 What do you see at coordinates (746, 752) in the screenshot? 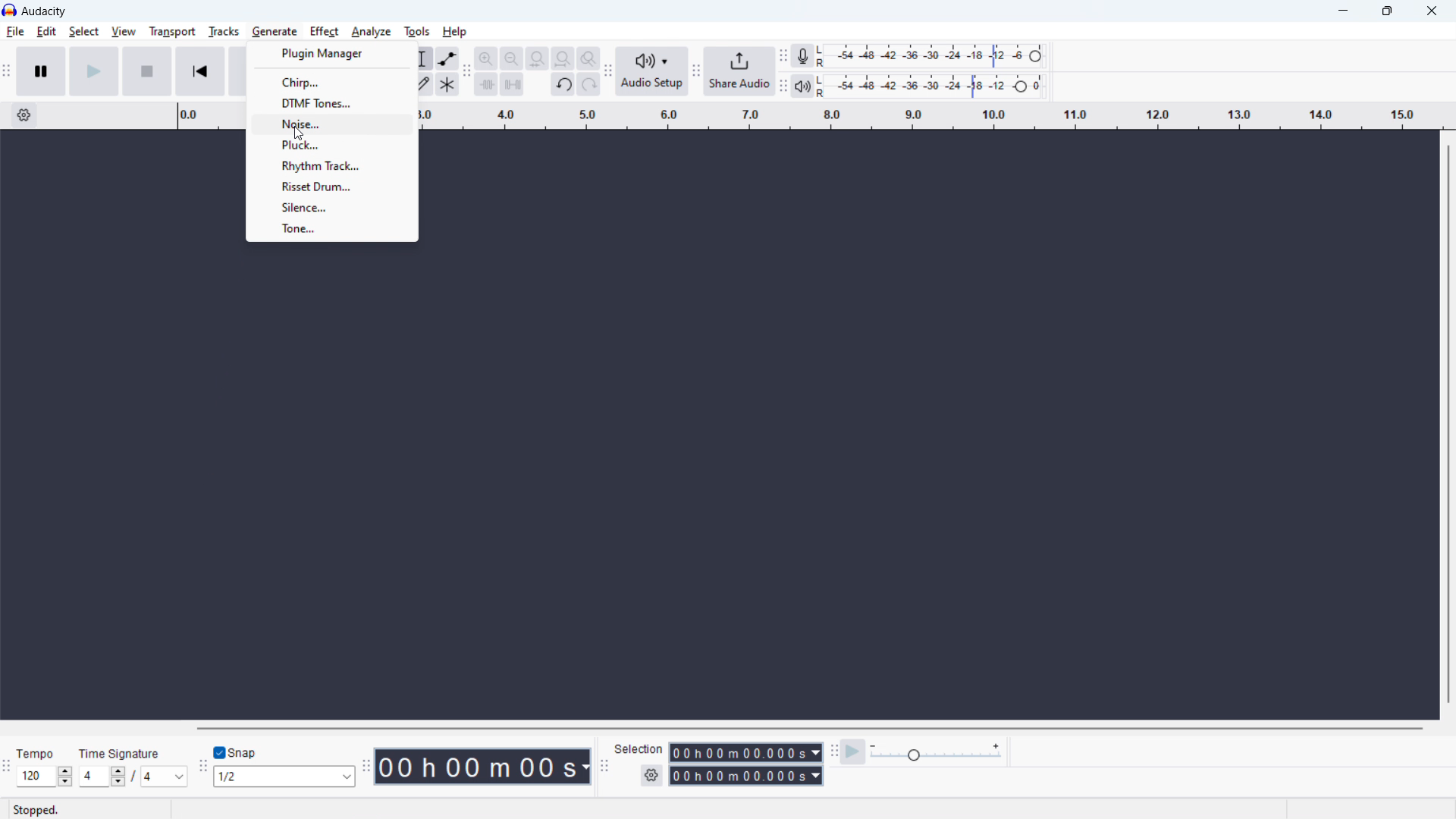
I see `start time` at bounding box center [746, 752].